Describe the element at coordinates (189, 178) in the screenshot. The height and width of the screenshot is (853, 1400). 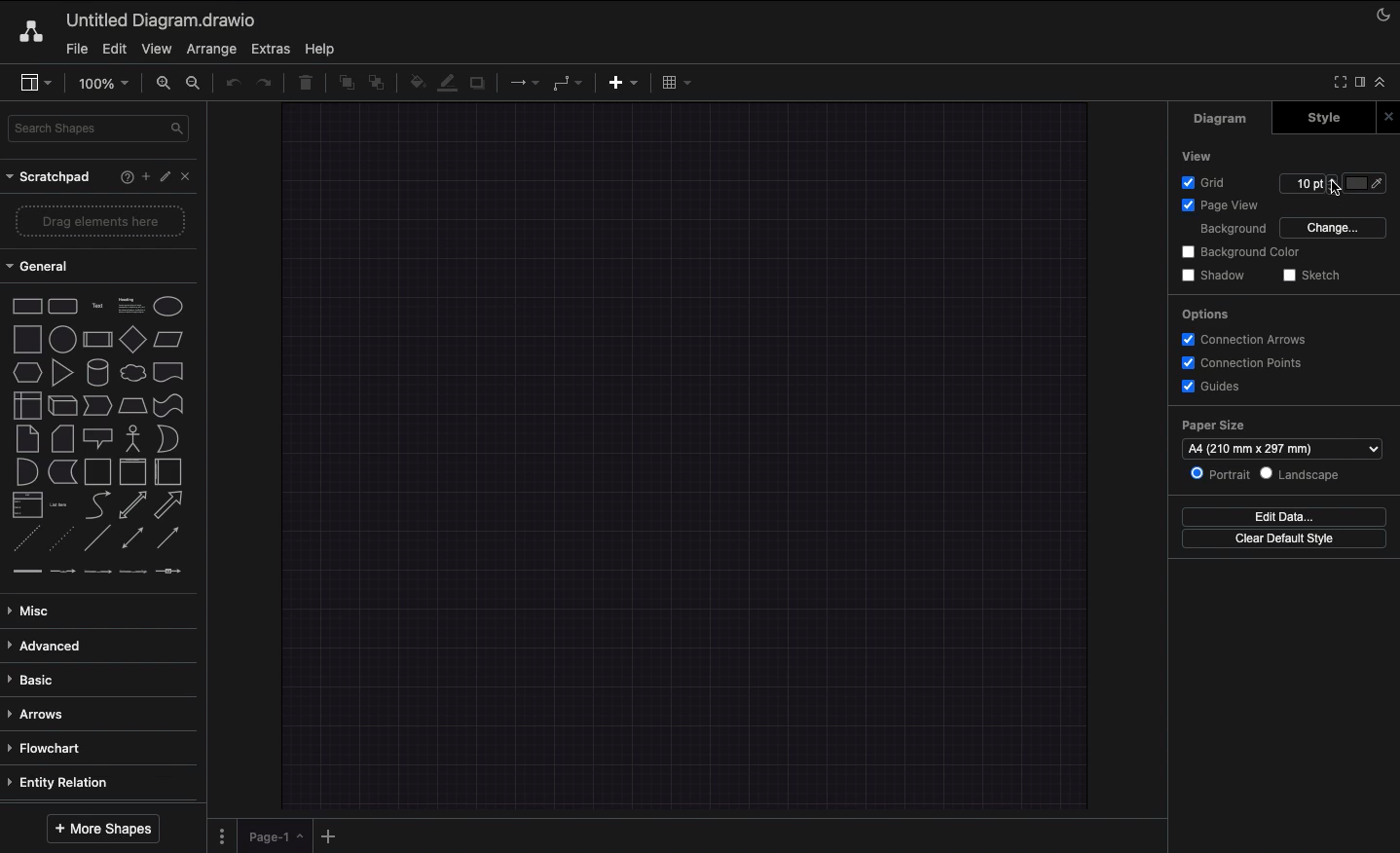
I see `Close` at that location.